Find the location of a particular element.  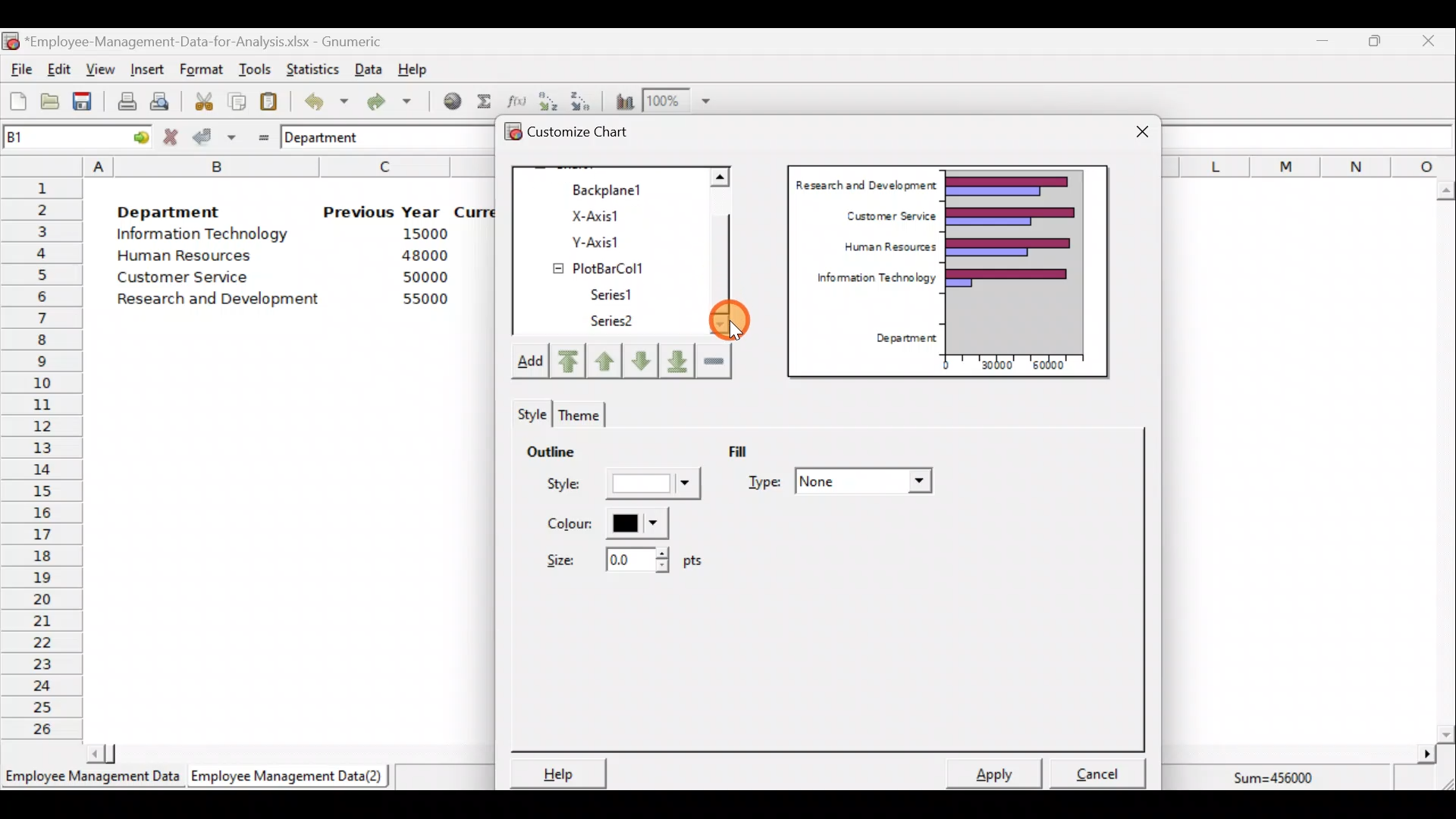

Scroll bar is located at coordinates (728, 253).